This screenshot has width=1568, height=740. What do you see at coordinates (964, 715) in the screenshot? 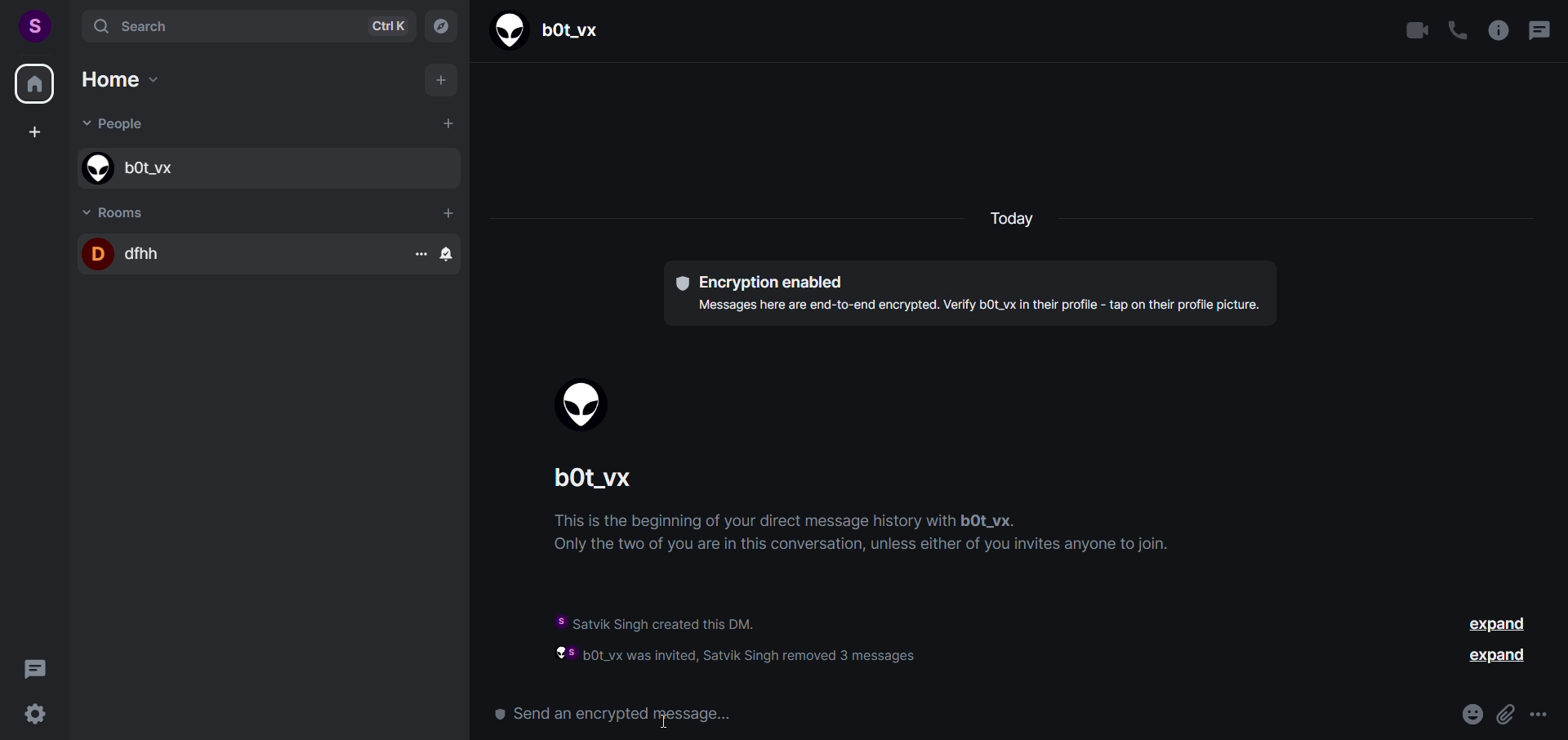
I see `send a message` at bounding box center [964, 715].